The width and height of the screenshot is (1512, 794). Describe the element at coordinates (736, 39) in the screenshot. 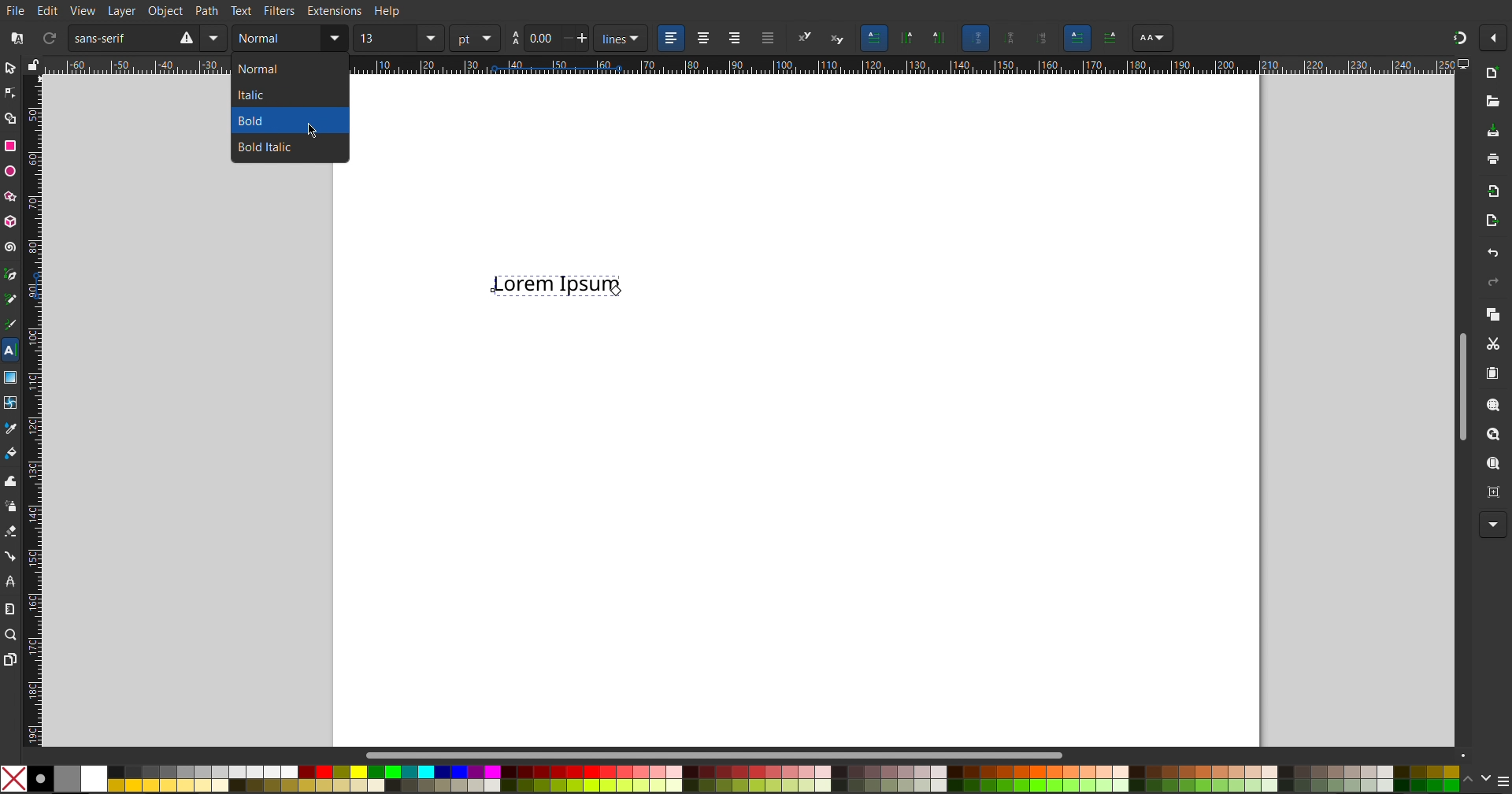

I see `Right Align` at that location.